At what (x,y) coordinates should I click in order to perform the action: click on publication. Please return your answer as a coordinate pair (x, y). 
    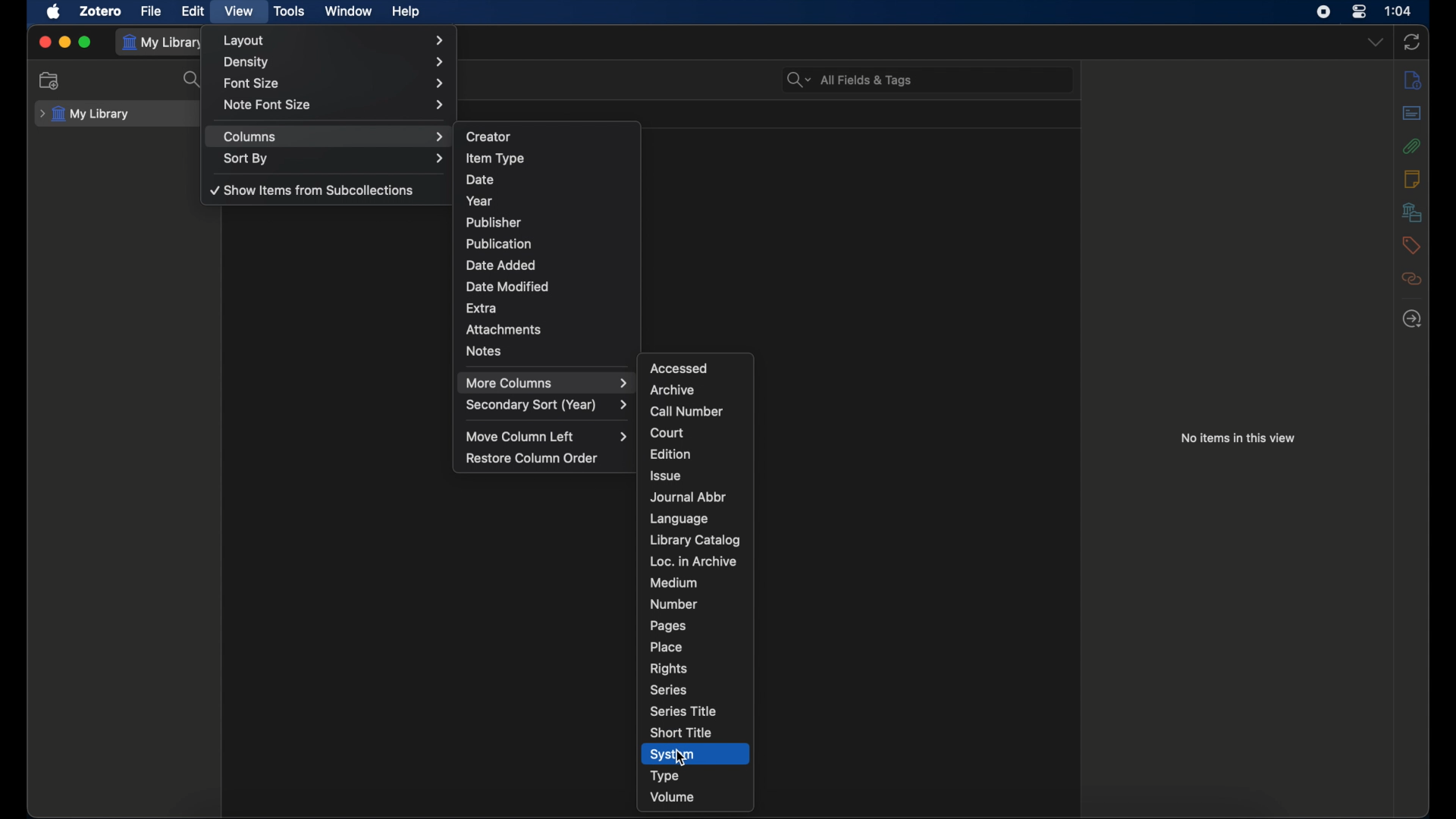
    Looking at the image, I should click on (499, 243).